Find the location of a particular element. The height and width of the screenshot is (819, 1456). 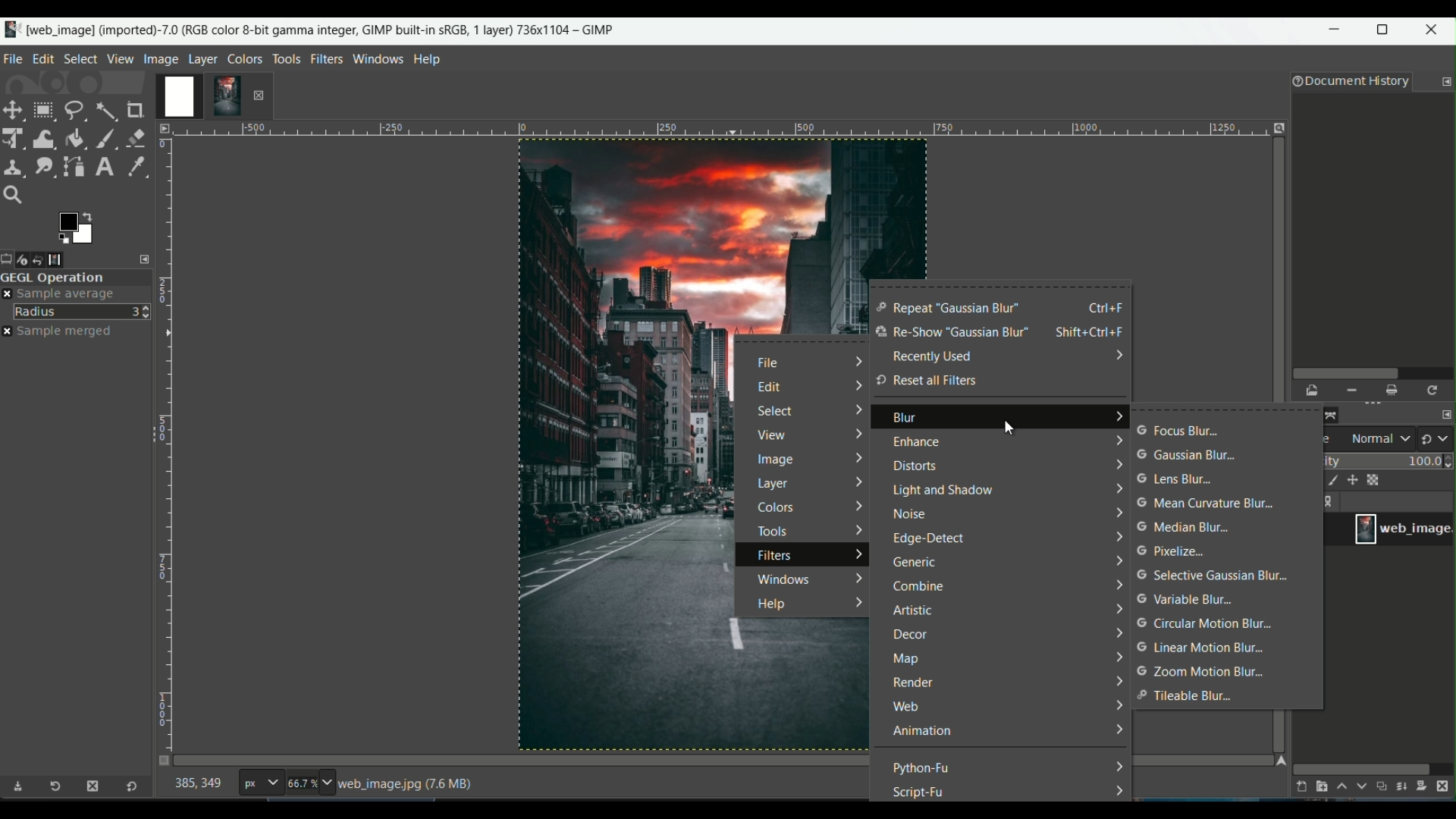

remove the selected entry is located at coordinates (1351, 391).